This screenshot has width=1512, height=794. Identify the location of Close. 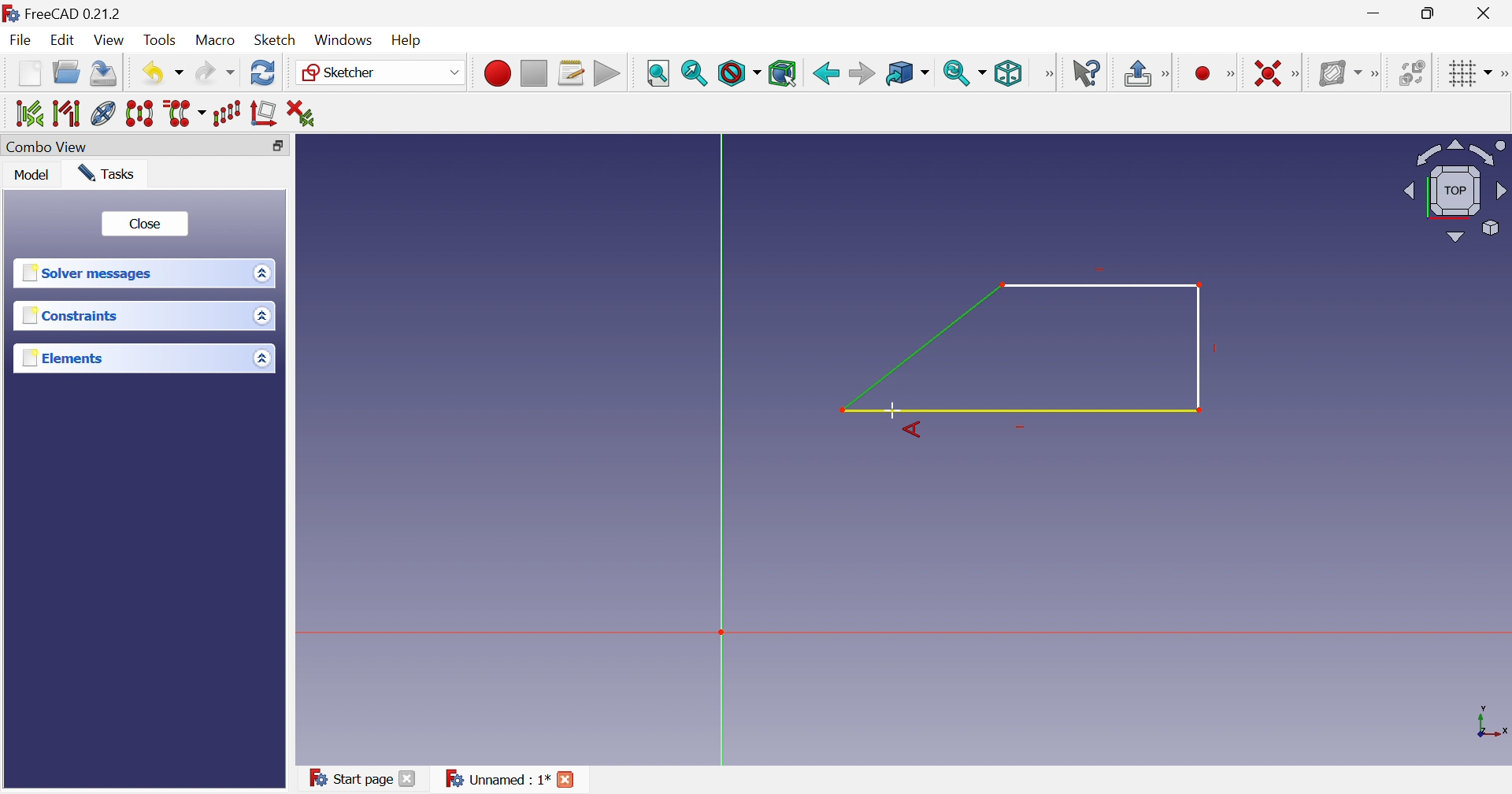
(145, 222).